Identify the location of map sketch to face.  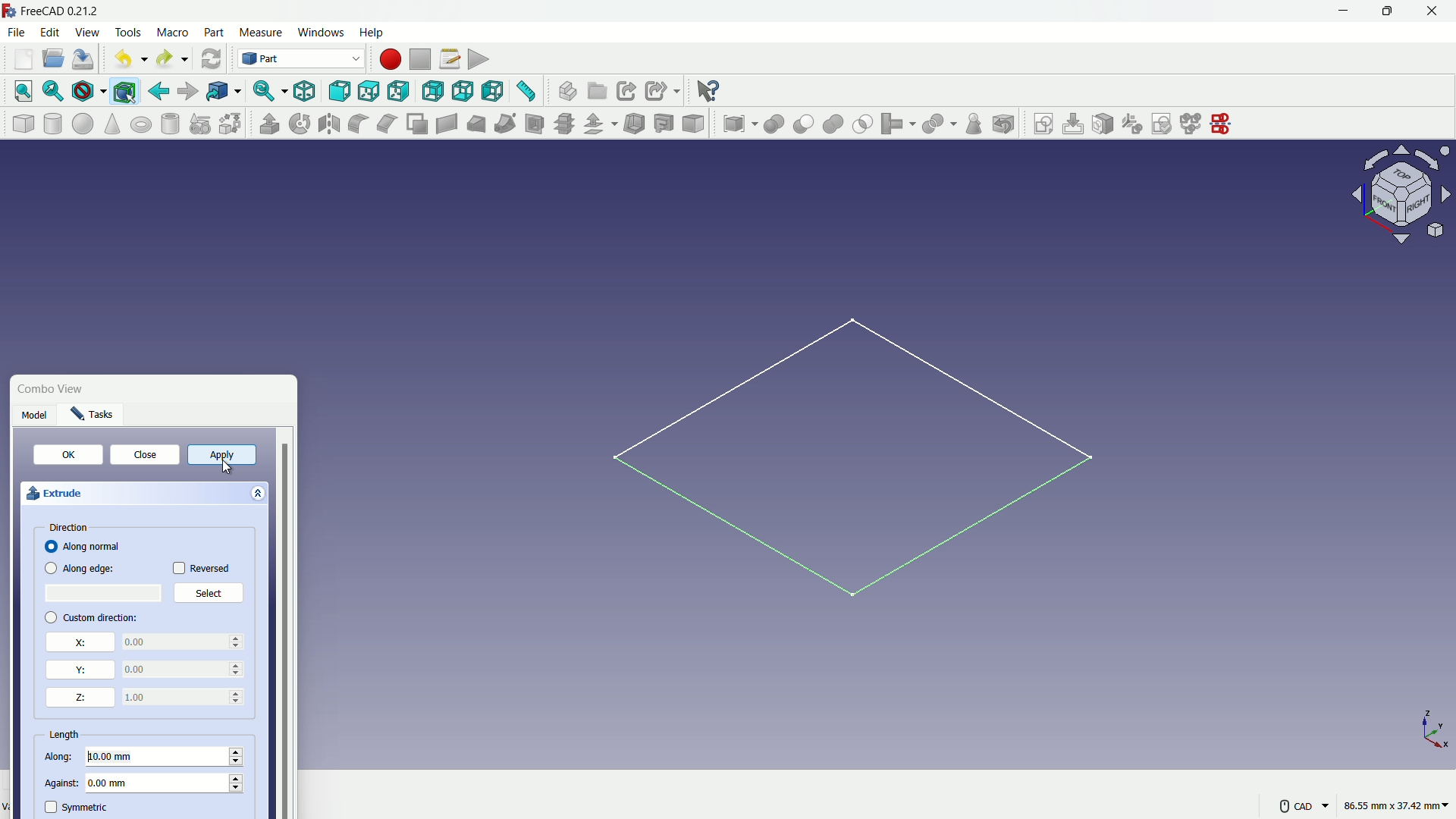
(1102, 123).